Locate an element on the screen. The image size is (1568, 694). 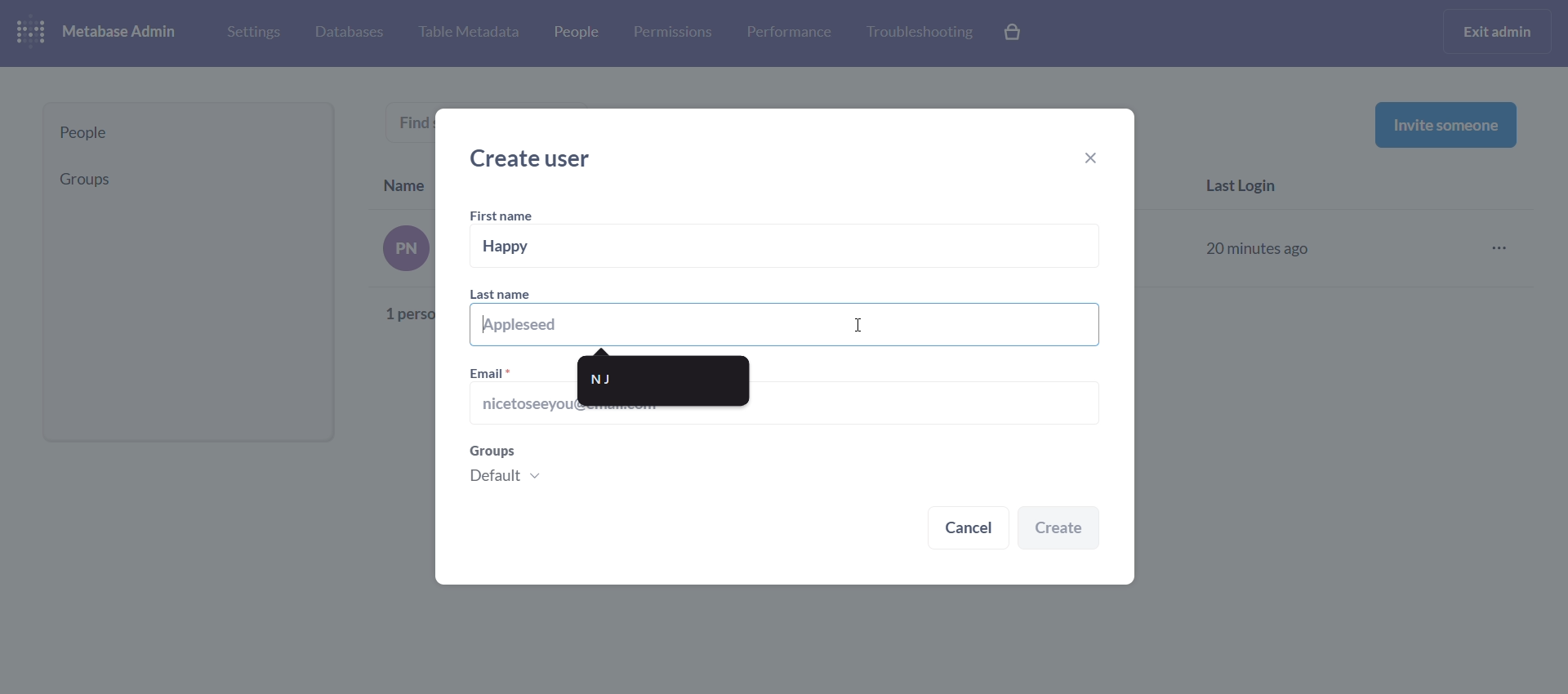
text is located at coordinates (412, 121).